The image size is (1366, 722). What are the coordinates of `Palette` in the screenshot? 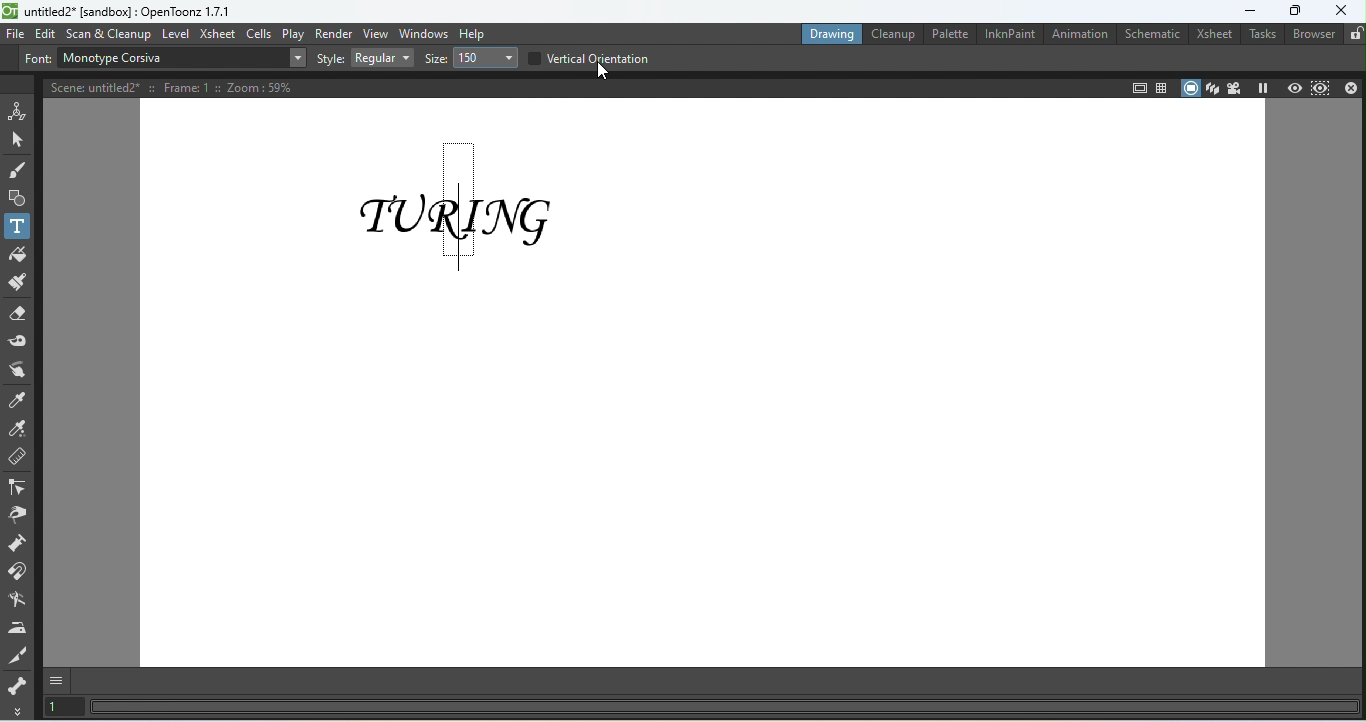 It's located at (949, 35).